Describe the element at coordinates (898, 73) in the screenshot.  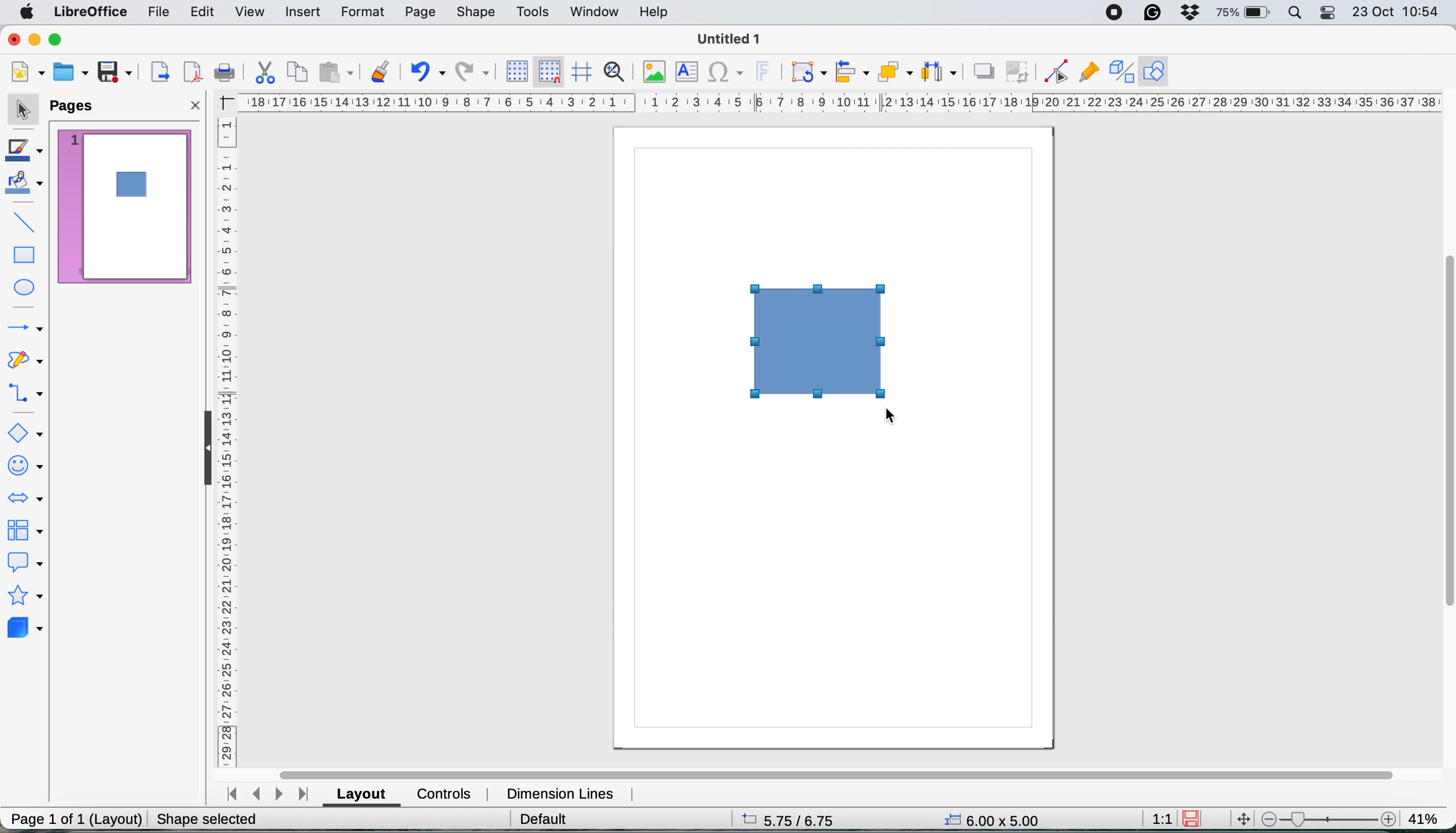
I see `arrange` at that location.